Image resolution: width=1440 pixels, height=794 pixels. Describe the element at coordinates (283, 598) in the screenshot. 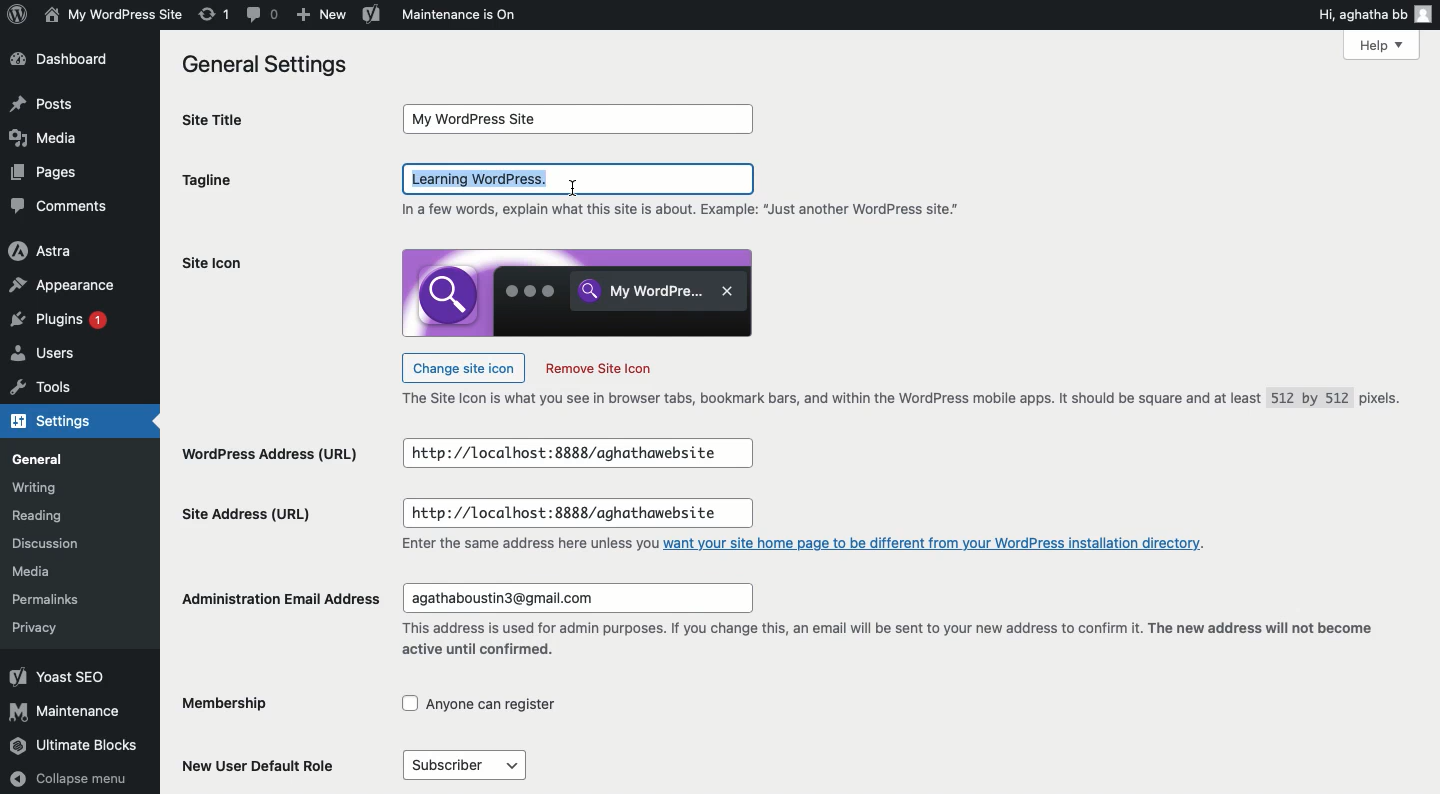

I see `Administration email address` at that location.